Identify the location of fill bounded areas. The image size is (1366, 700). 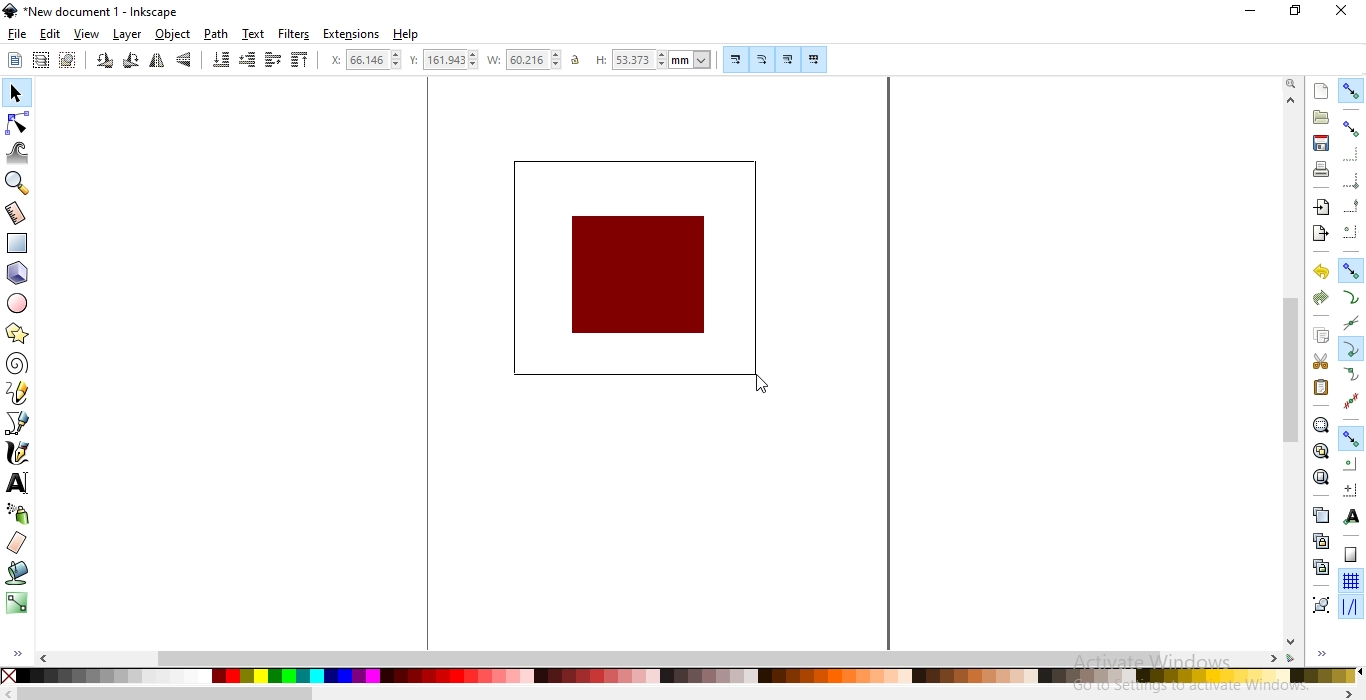
(16, 575).